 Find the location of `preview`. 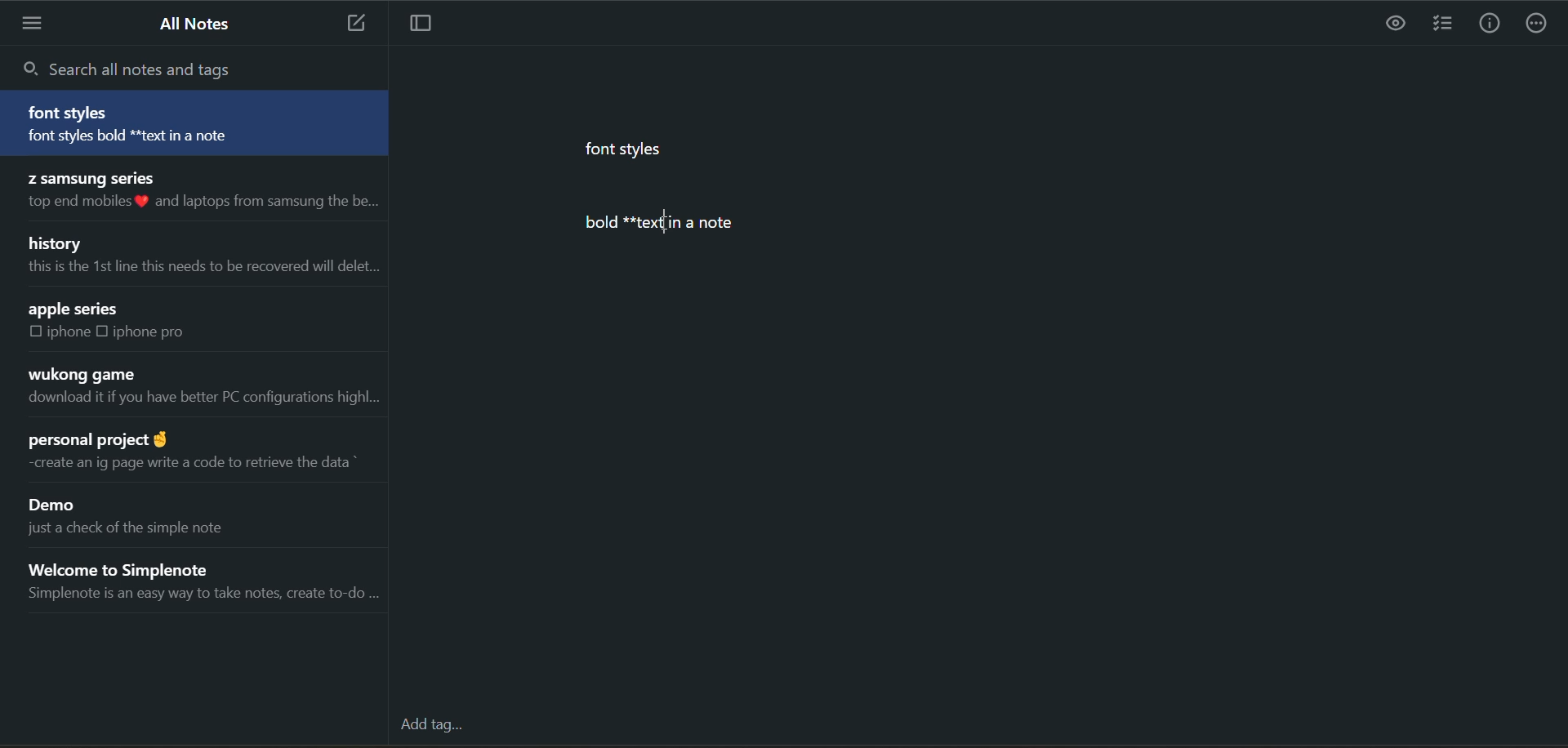

preview is located at coordinates (1397, 24).